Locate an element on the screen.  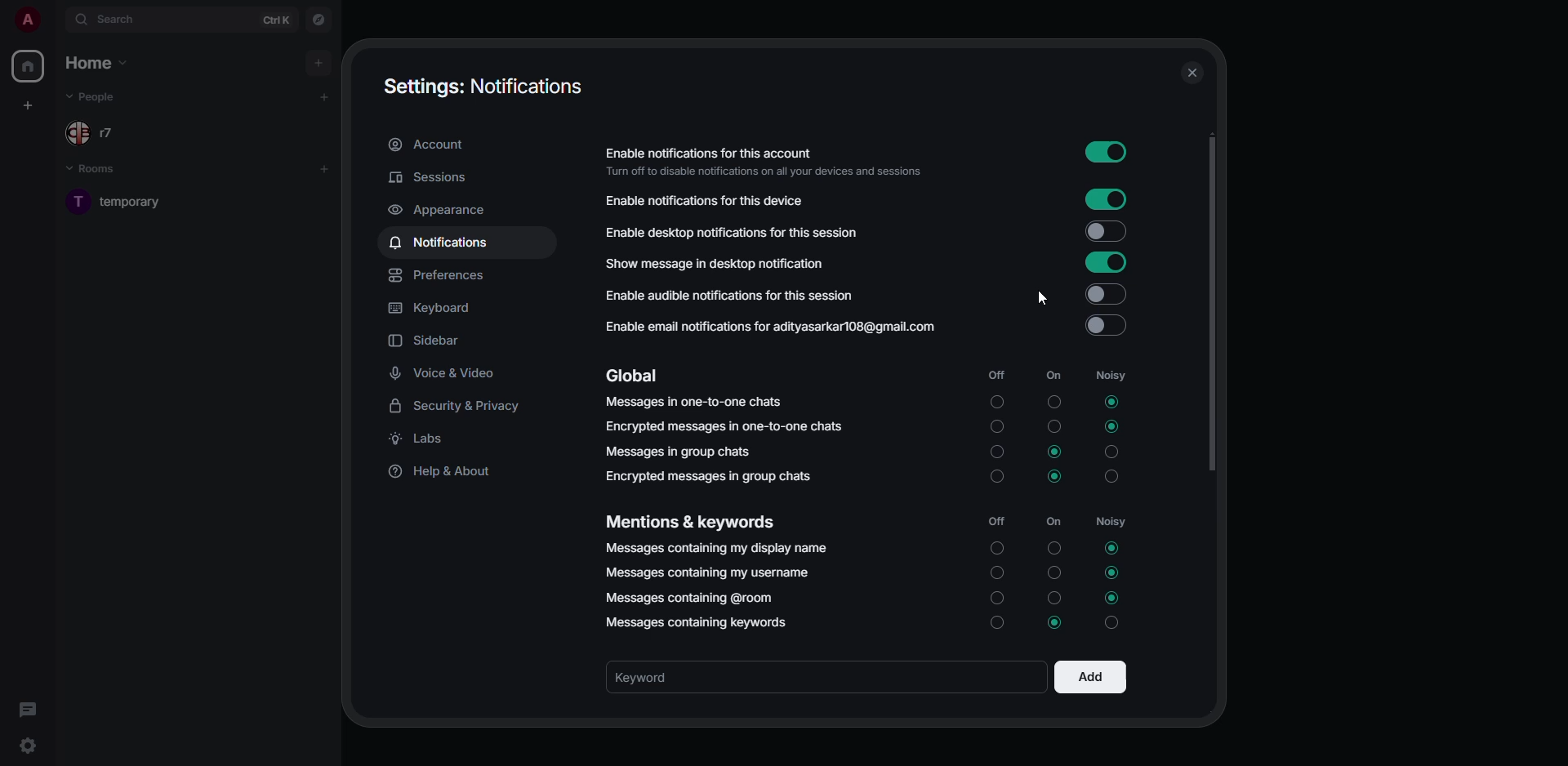
on is located at coordinates (1056, 523).